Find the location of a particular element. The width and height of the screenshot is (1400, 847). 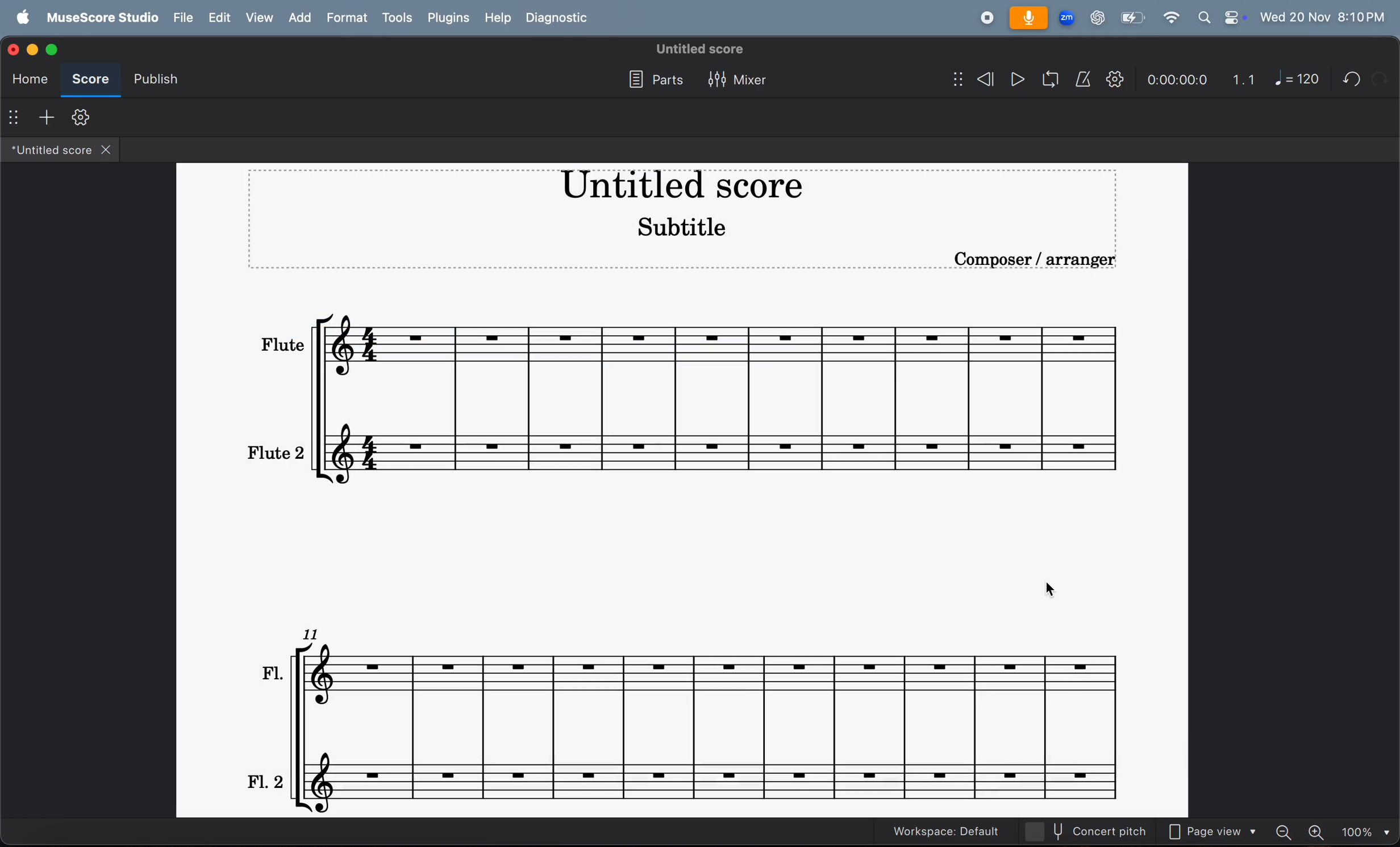

notes is located at coordinates (693, 717).